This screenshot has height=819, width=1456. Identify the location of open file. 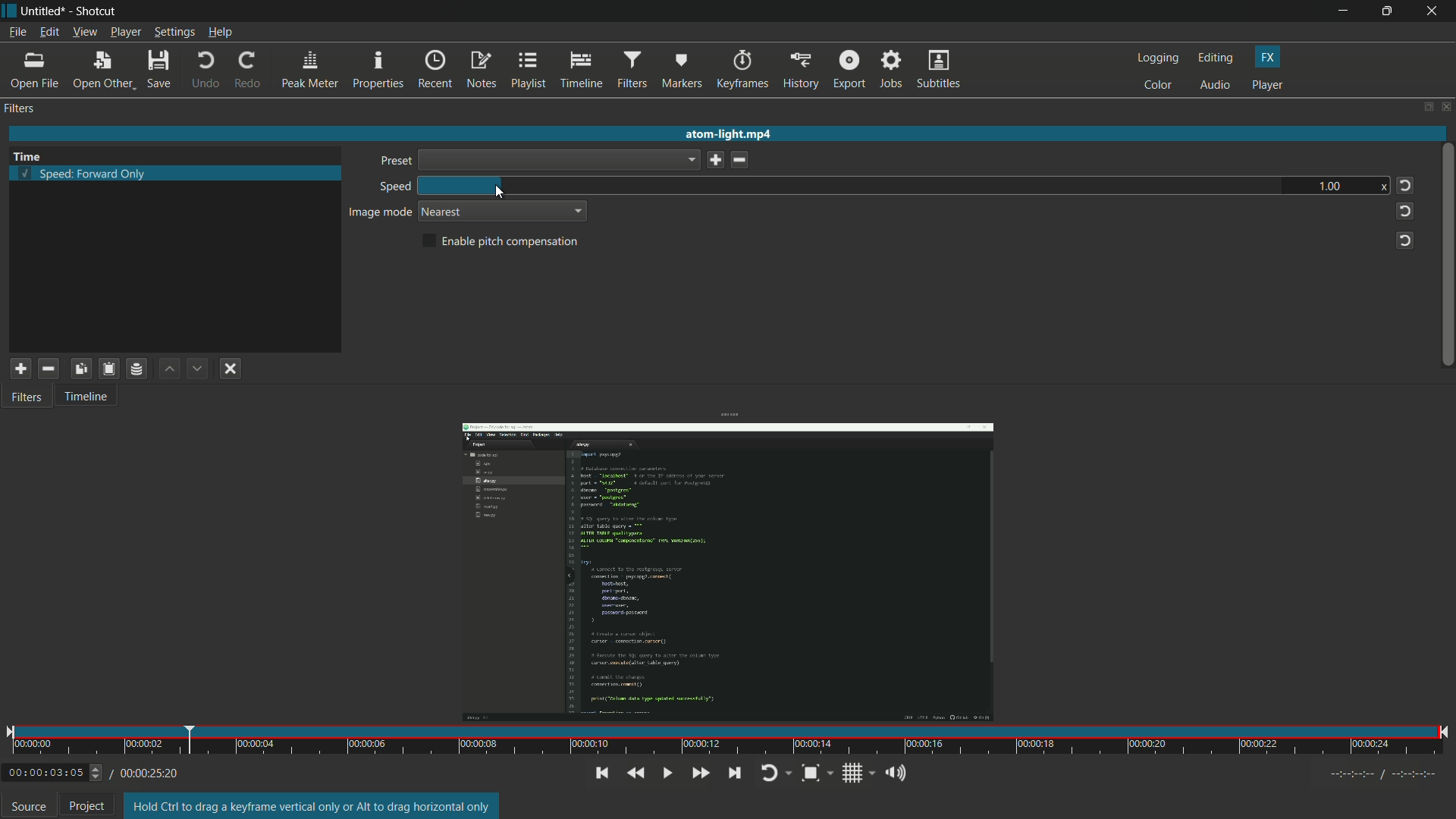
(34, 71).